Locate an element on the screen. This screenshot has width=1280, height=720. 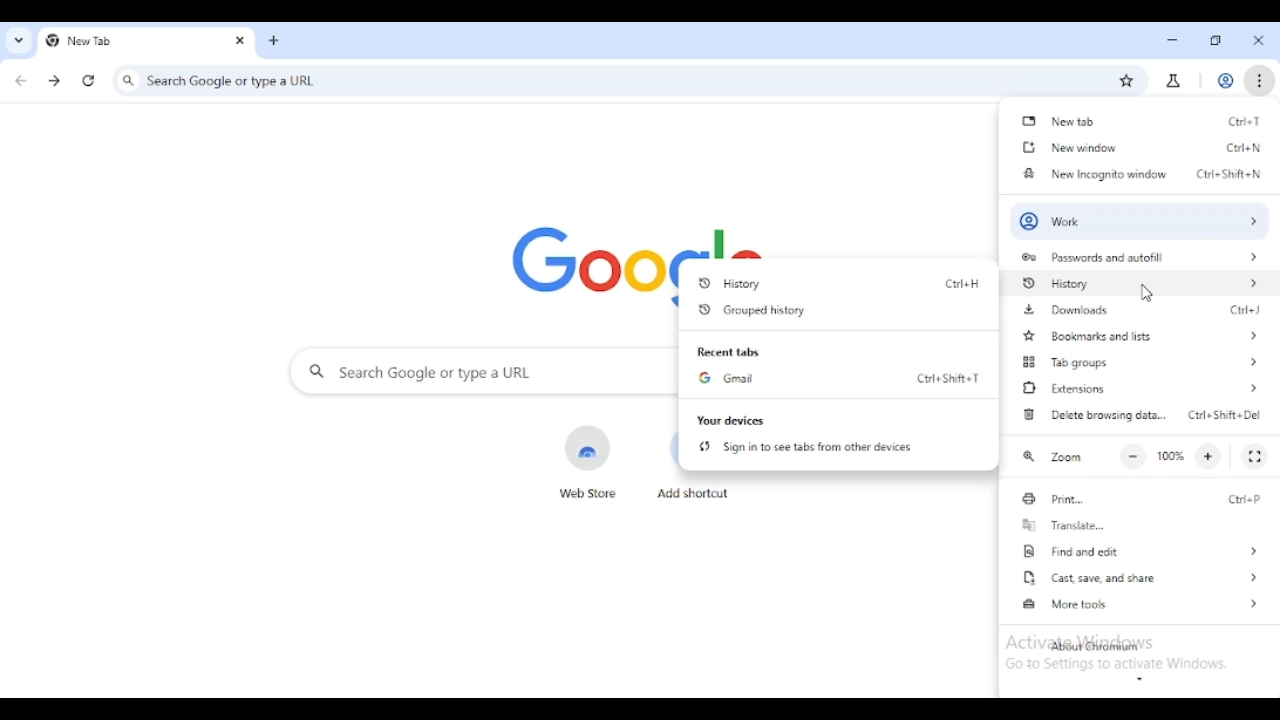
close tab is located at coordinates (240, 41).